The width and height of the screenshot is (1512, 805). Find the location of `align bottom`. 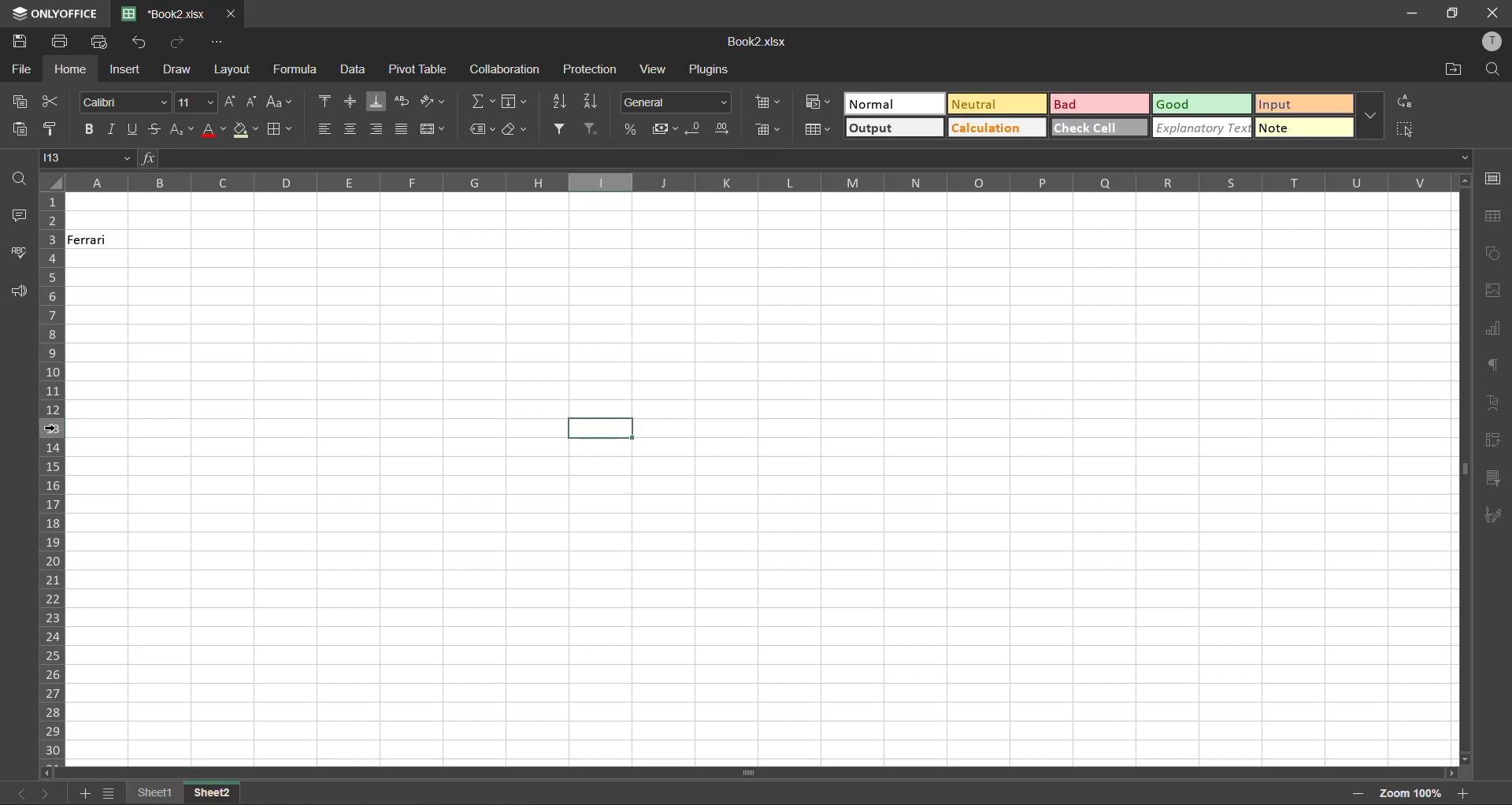

align bottom is located at coordinates (376, 101).